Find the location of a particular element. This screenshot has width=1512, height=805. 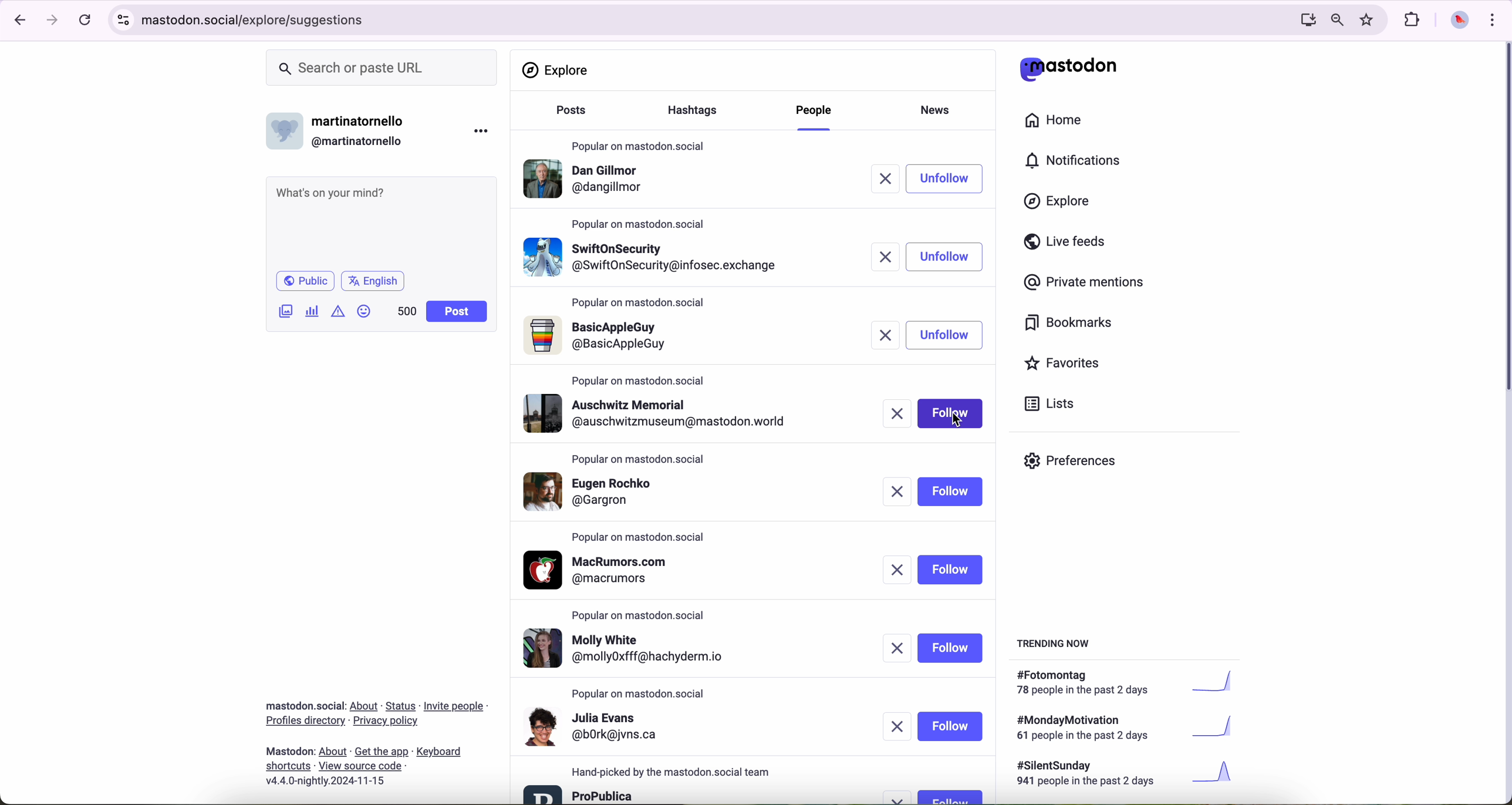

cursor is located at coordinates (958, 423).